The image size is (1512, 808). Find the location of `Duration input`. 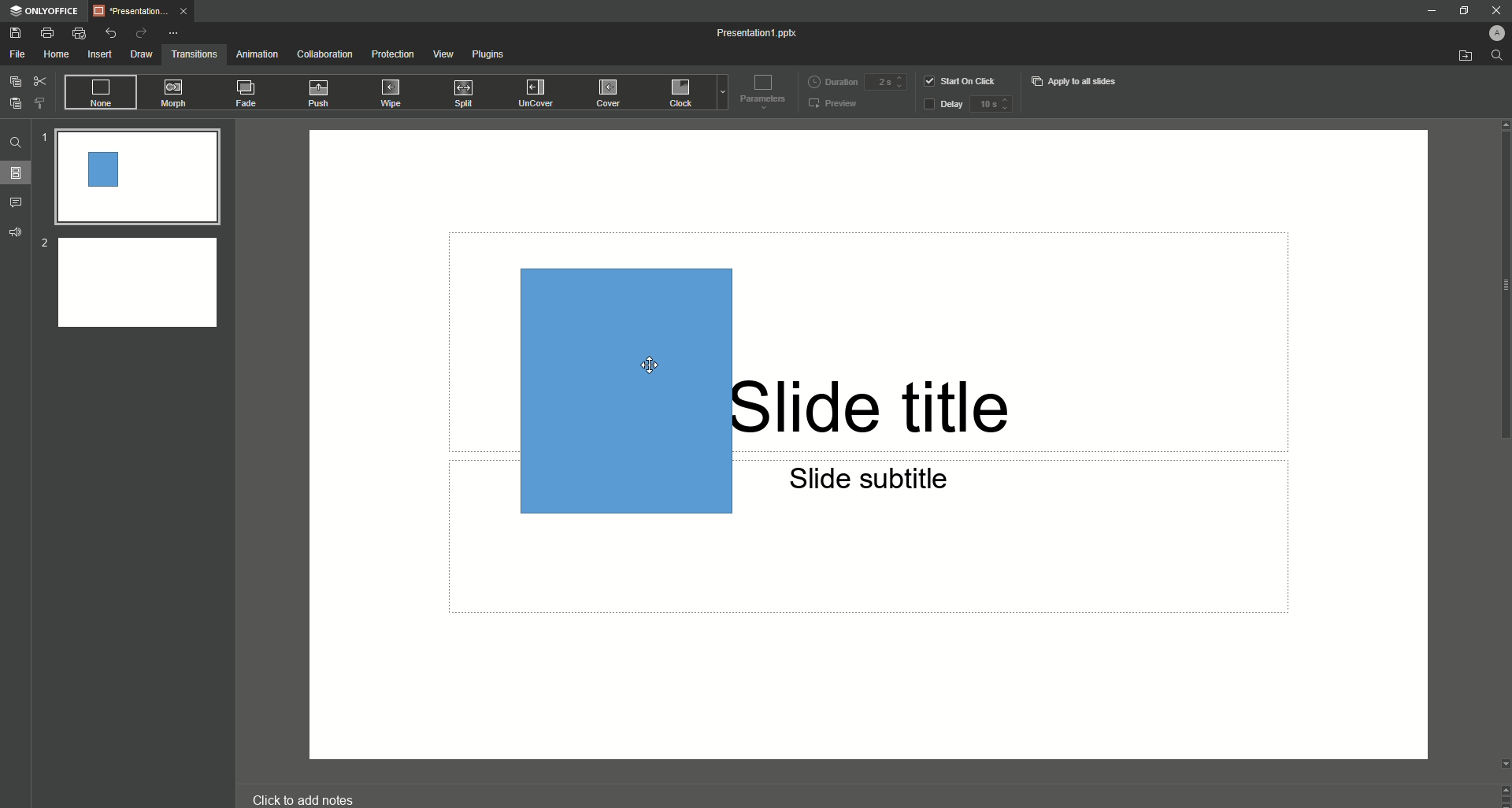

Duration input is located at coordinates (887, 81).